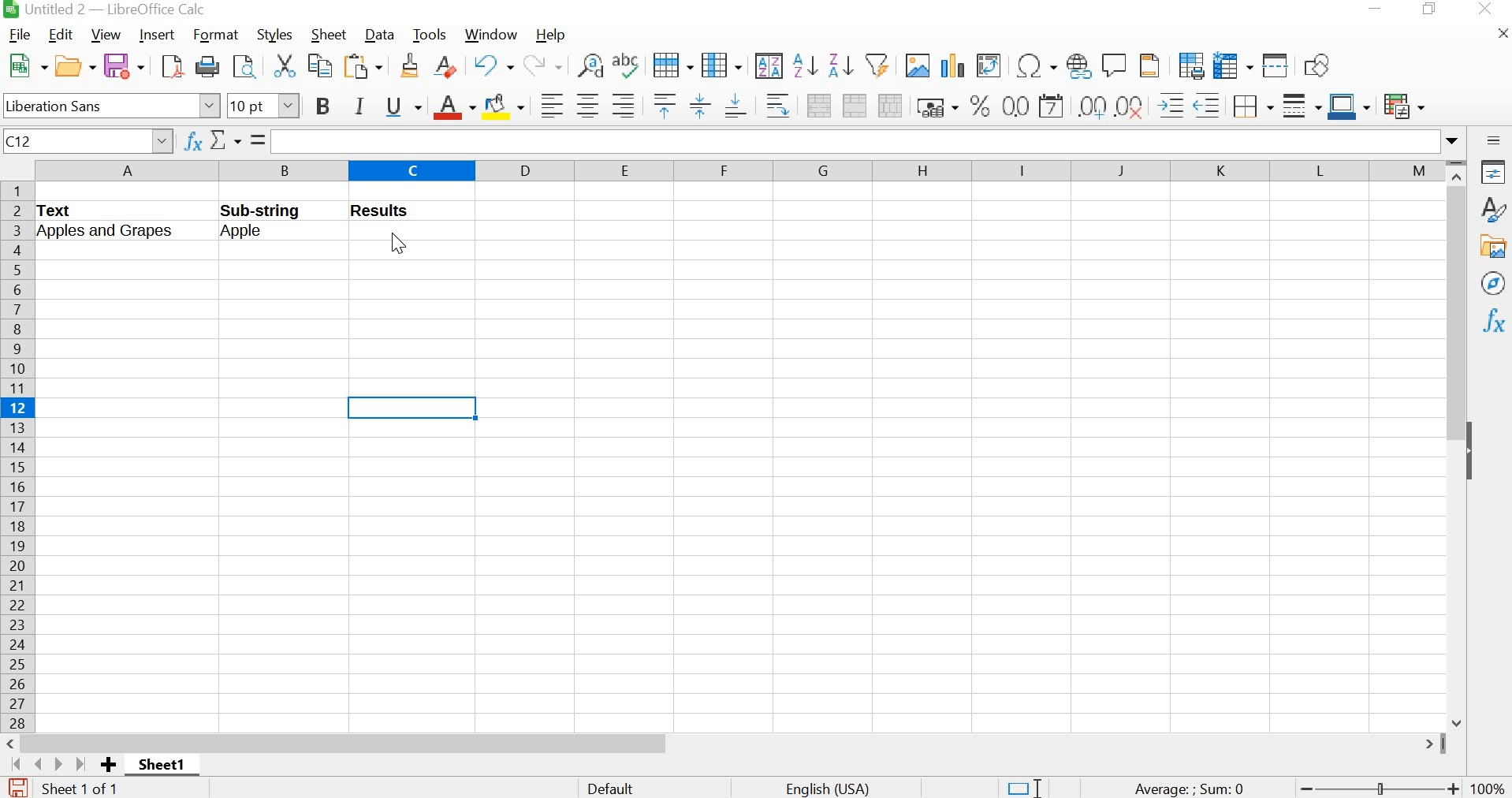  I want to click on border style, so click(1300, 104).